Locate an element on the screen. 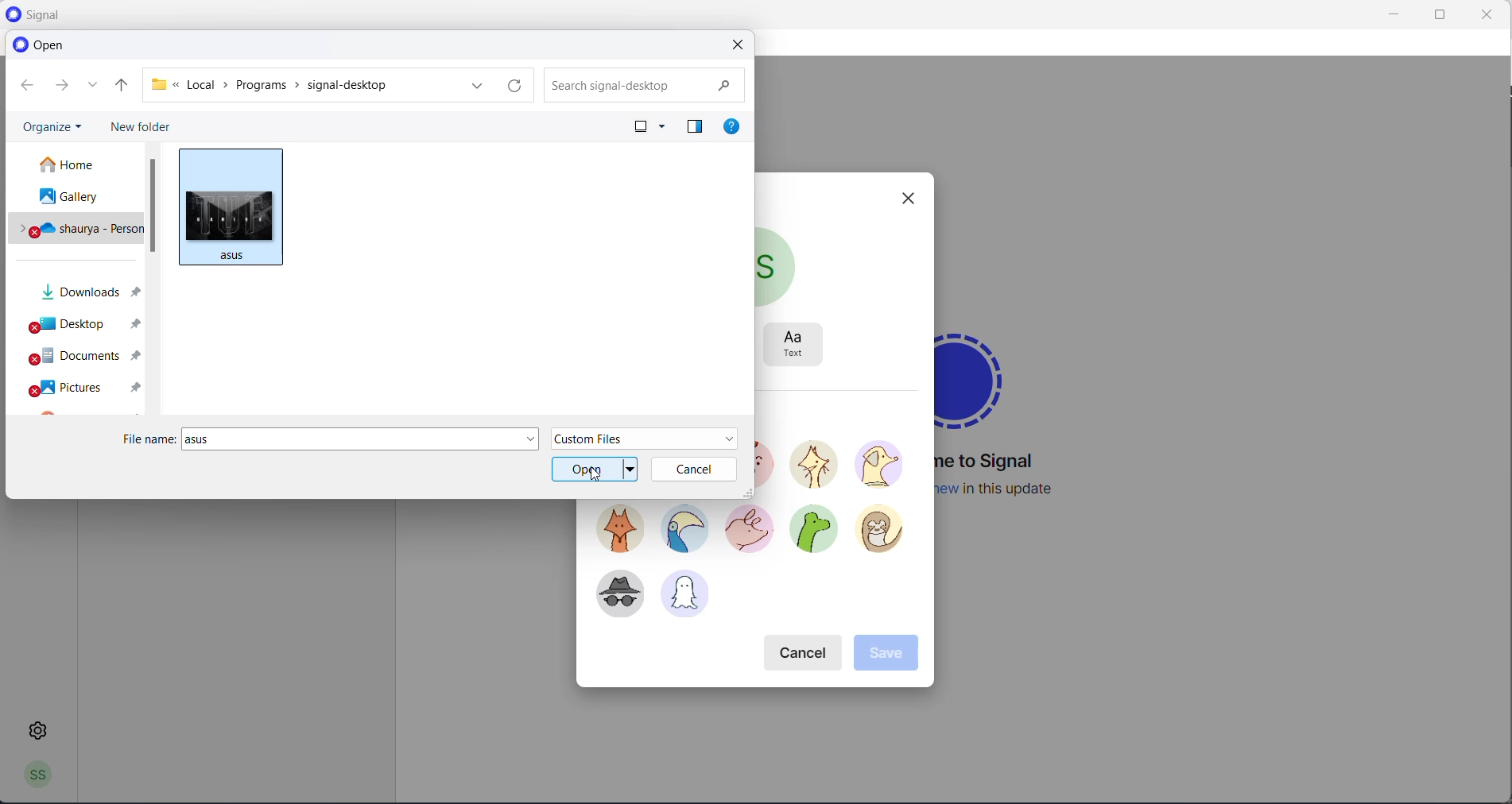 Image resolution: width=1512 pixels, height=804 pixels. maximize is located at coordinates (1436, 15).